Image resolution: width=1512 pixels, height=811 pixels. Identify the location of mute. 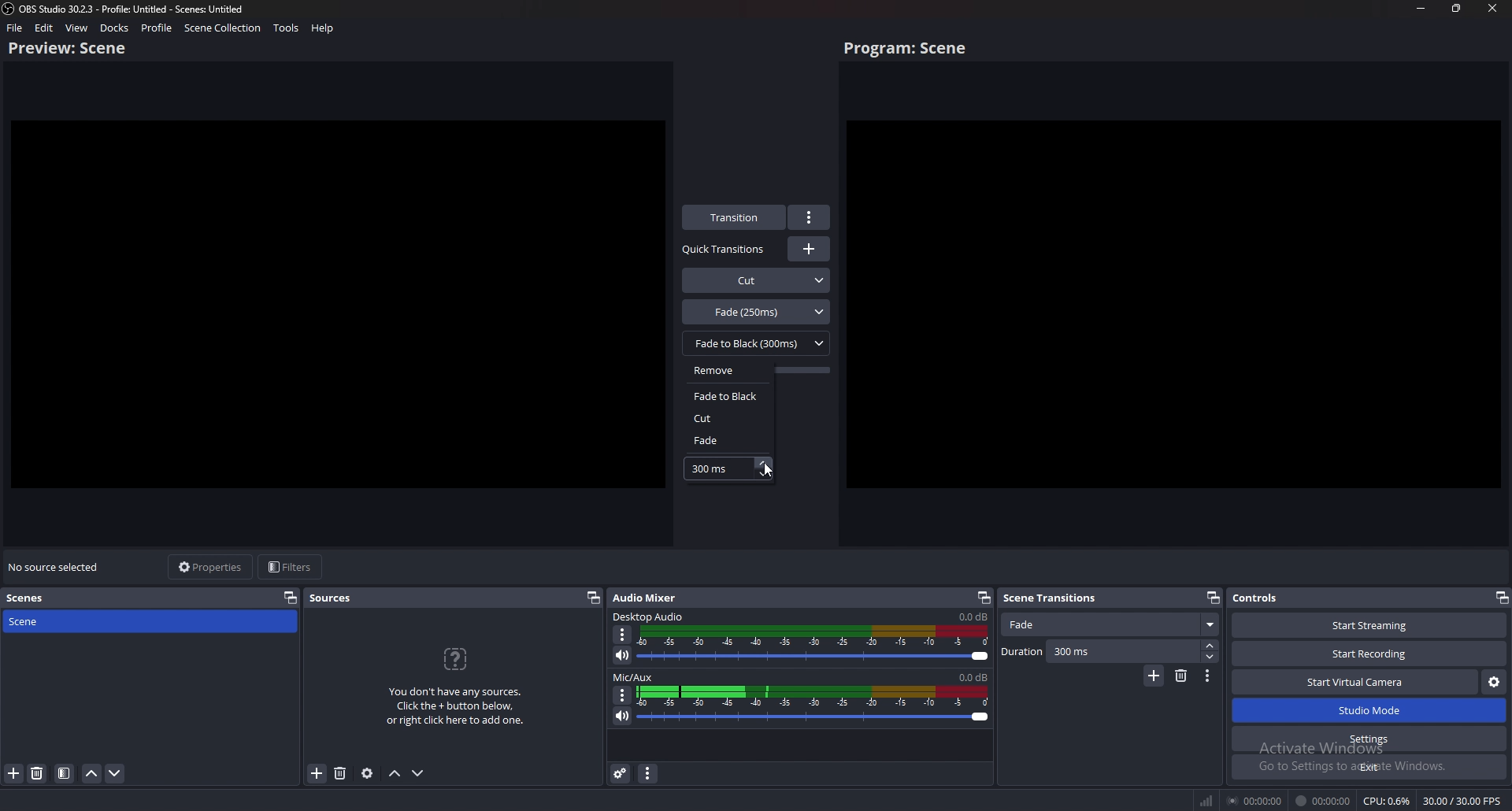
(623, 716).